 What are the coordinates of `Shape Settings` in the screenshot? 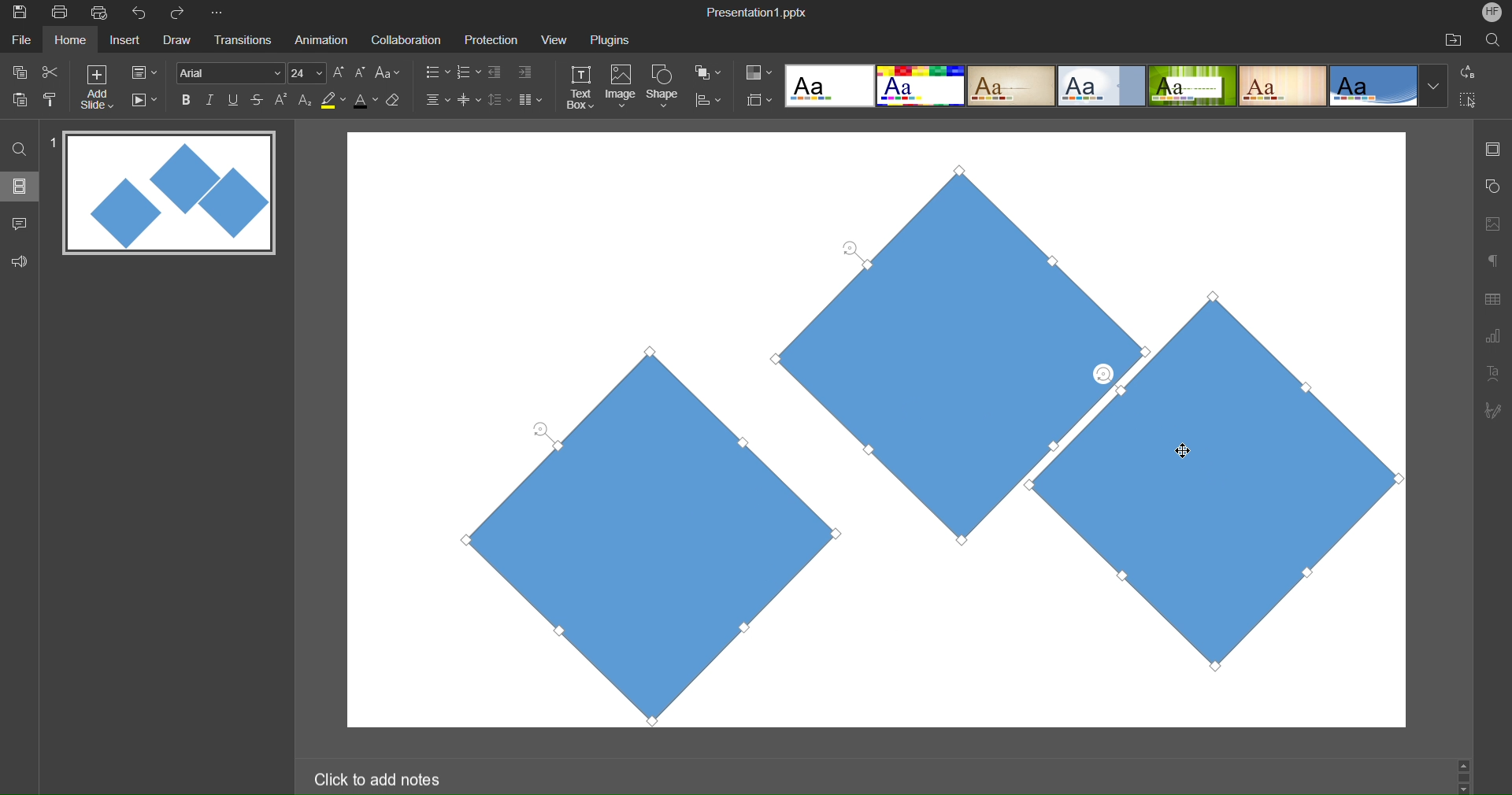 It's located at (1492, 187).